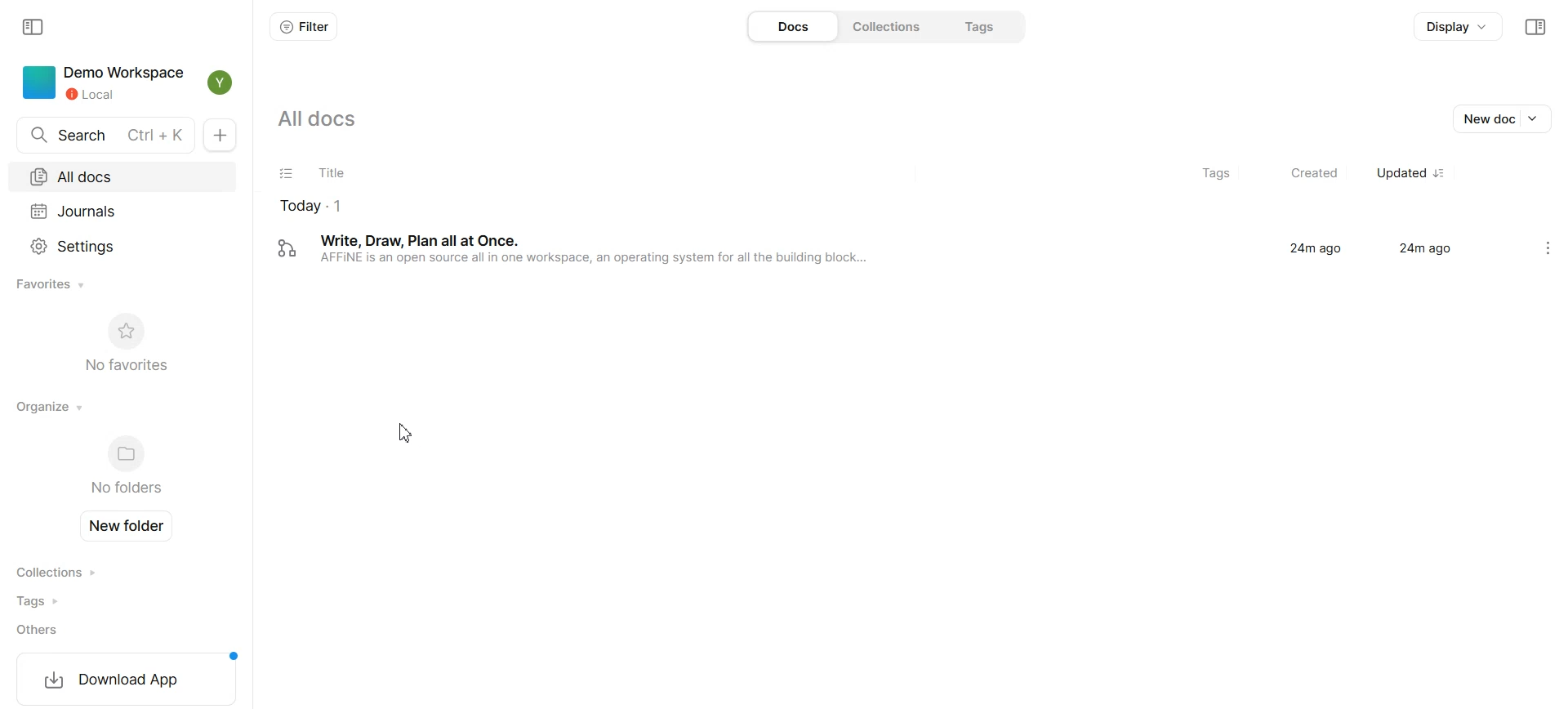 This screenshot has height=709, width=1568. What do you see at coordinates (1535, 27) in the screenshot?
I see `Collapse sidebar` at bounding box center [1535, 27].